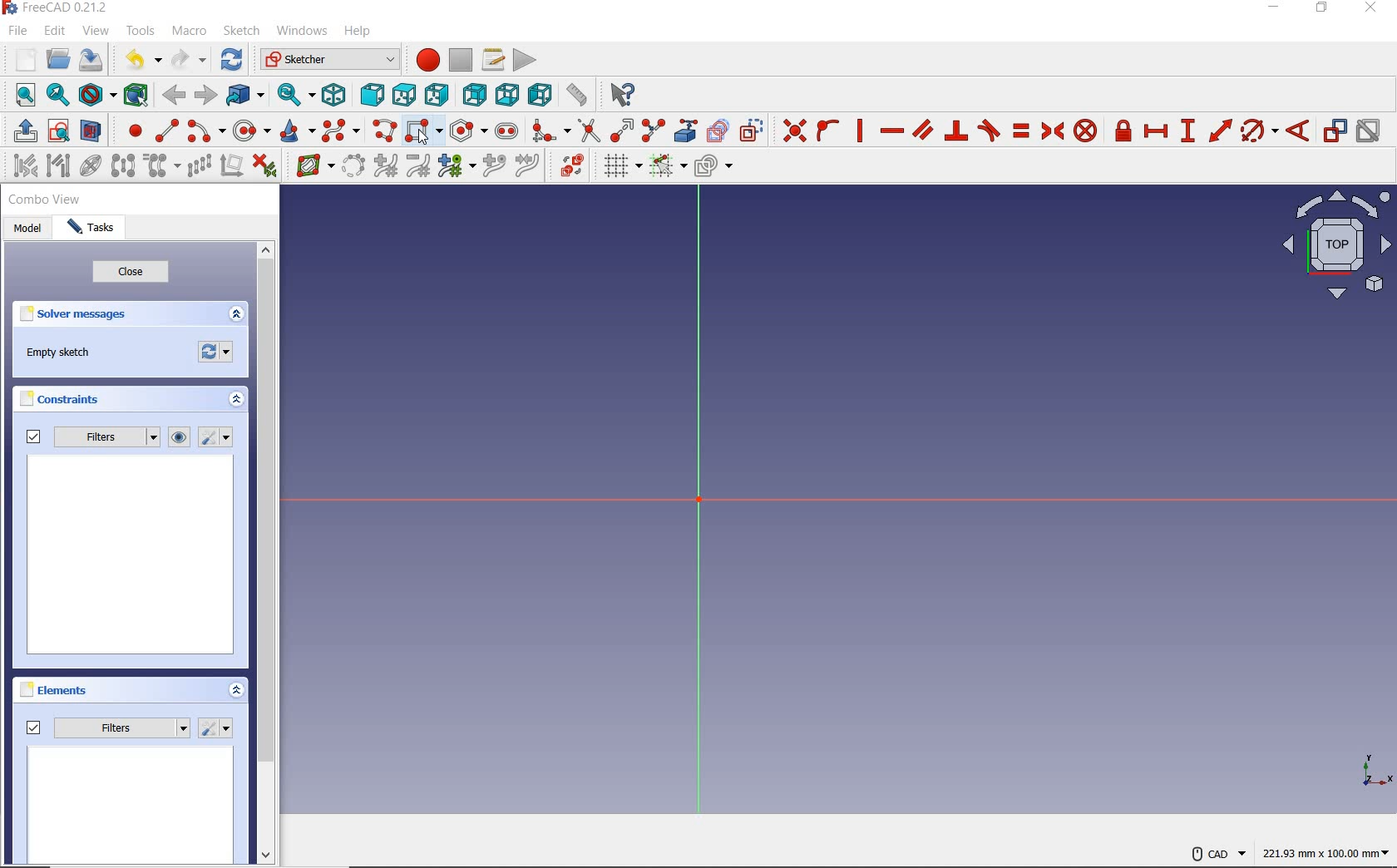 The height and width of the screenshot is (868, 1397). Describe the element at coordinates (1325, 853) in the screenshot. I see `221.93mmx100.00mm` at that location.